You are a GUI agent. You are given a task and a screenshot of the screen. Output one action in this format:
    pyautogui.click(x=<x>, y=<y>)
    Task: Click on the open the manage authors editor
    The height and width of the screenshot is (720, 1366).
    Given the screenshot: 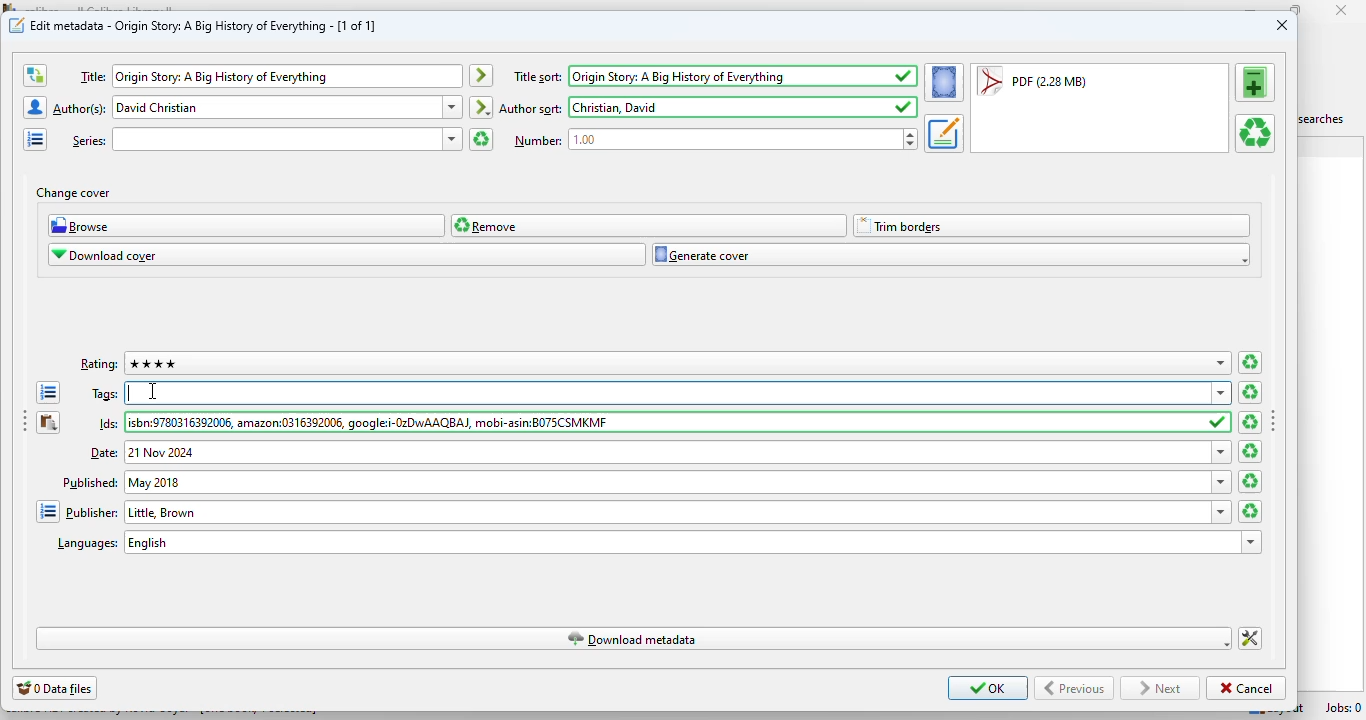 What is the action you would take?
    pyautogui.click(x=34, y=107)
    